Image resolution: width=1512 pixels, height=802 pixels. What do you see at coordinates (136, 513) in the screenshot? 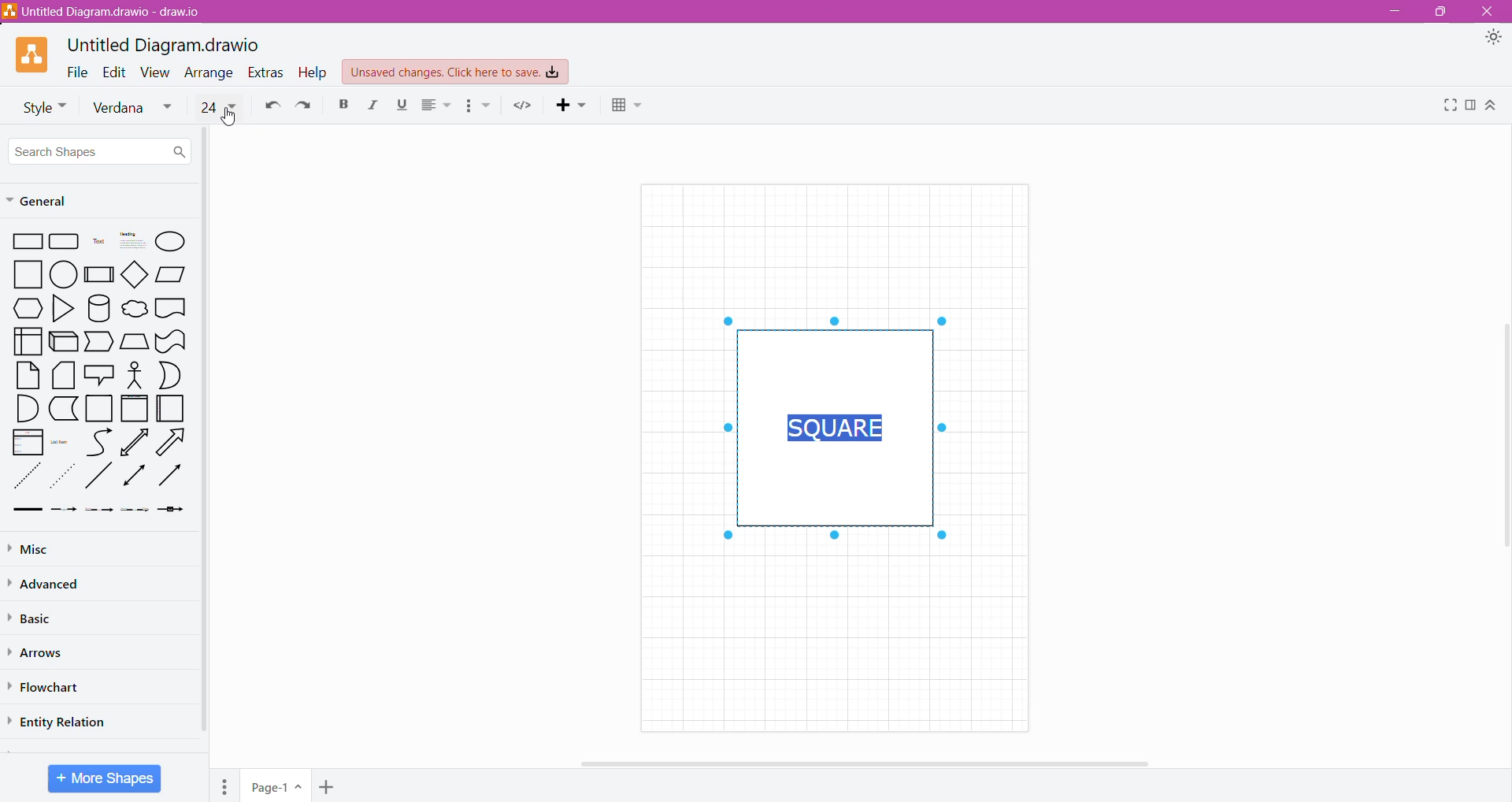
I see `Dotted Arrow` at bounding box center [136, 513].